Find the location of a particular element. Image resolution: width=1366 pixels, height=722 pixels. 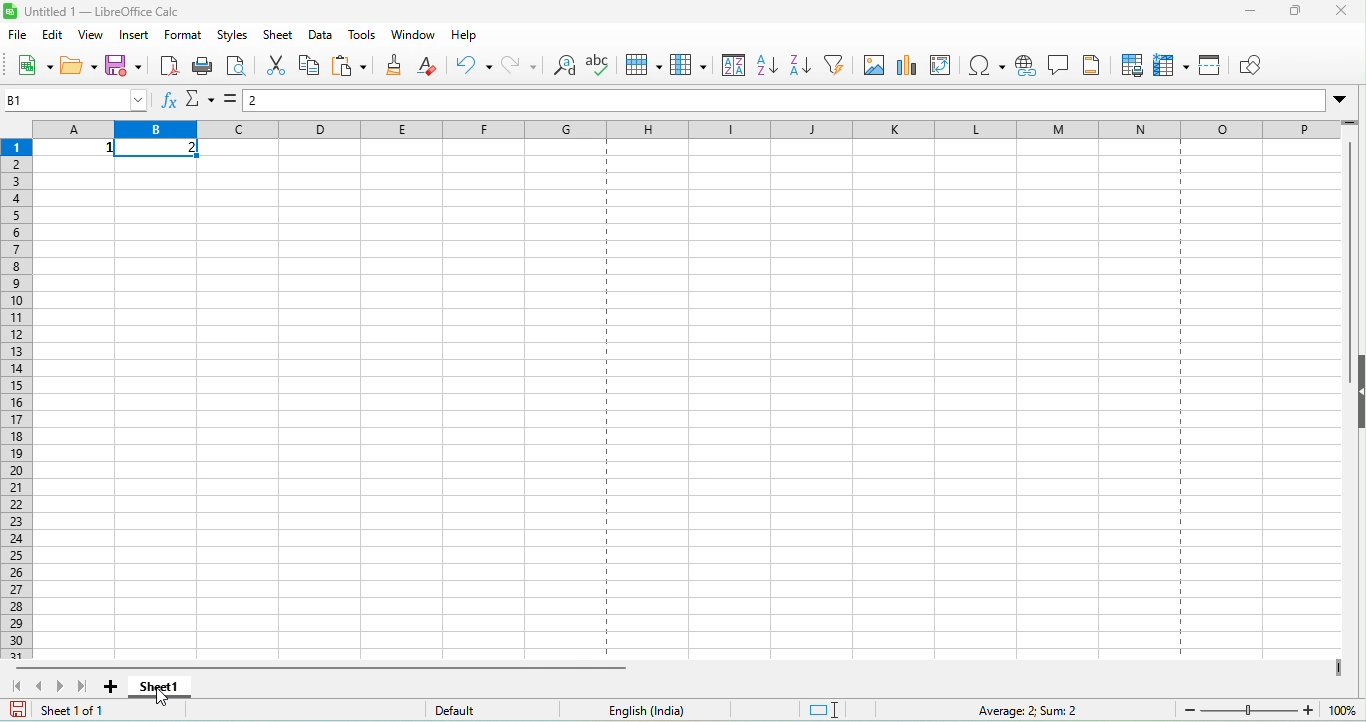

vertical scroll bar is located at coordinates (1346, 239).